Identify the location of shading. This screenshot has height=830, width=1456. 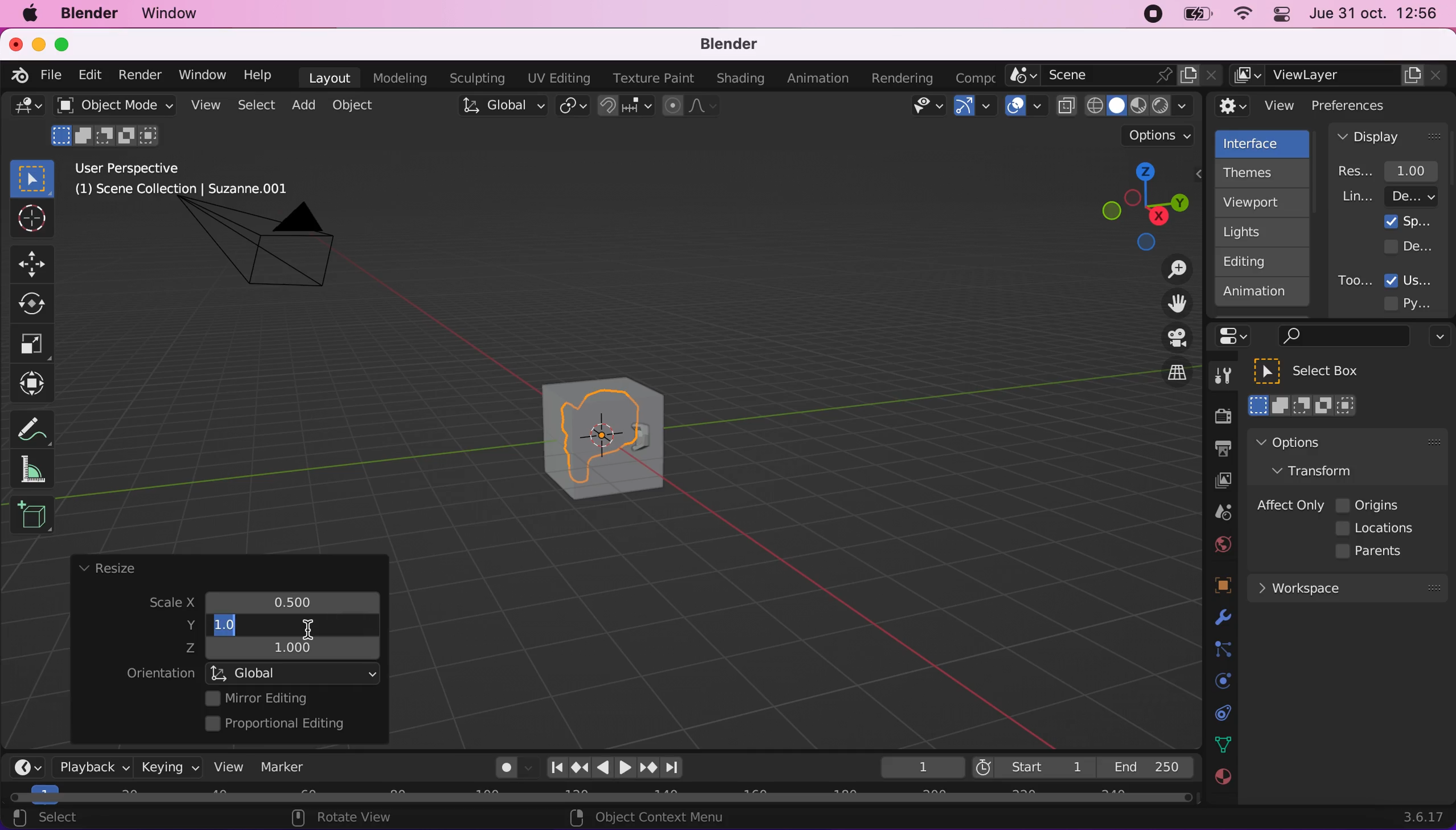
(741, 79).